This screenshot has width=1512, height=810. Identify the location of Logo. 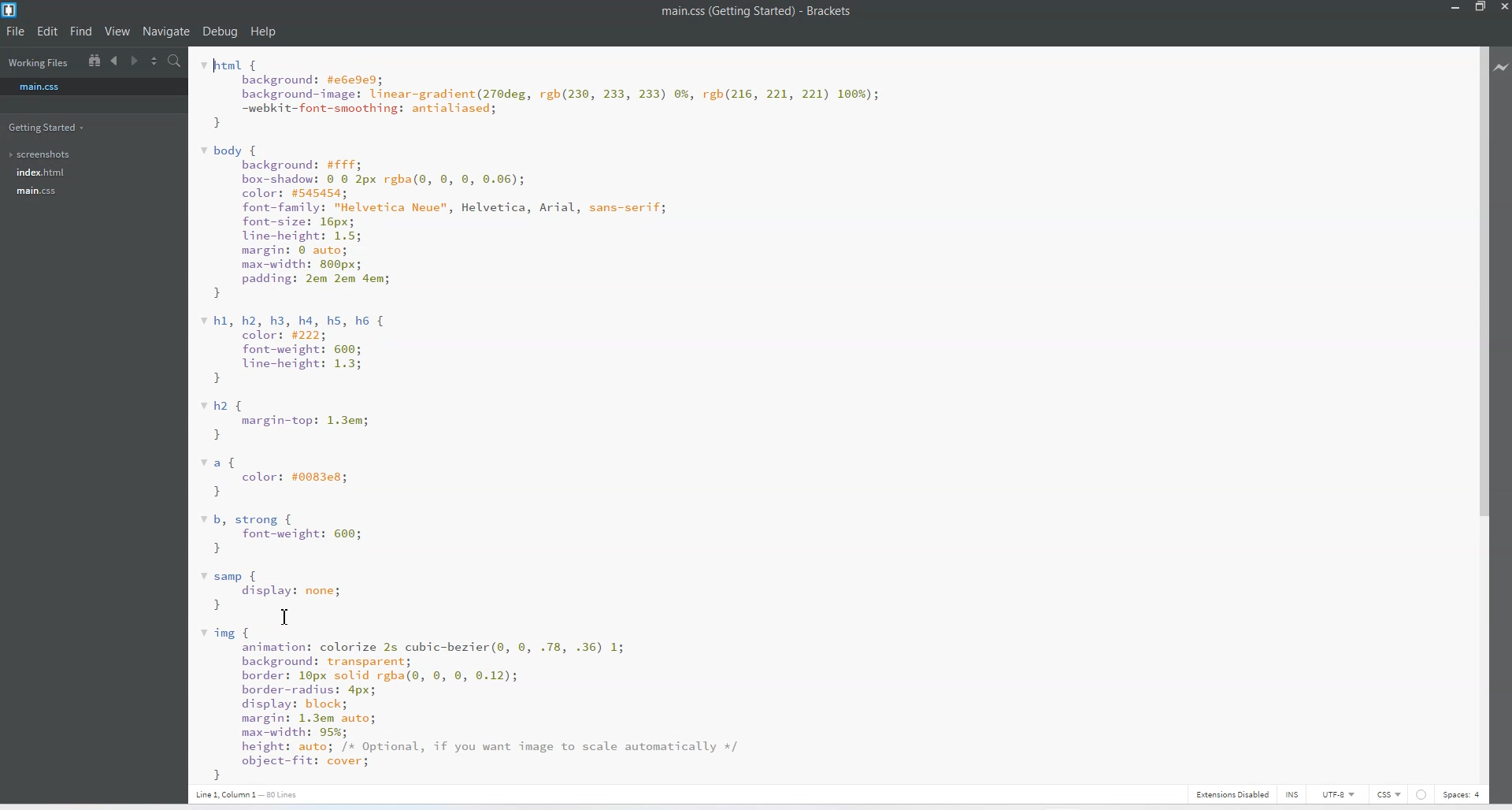
(11, 10).